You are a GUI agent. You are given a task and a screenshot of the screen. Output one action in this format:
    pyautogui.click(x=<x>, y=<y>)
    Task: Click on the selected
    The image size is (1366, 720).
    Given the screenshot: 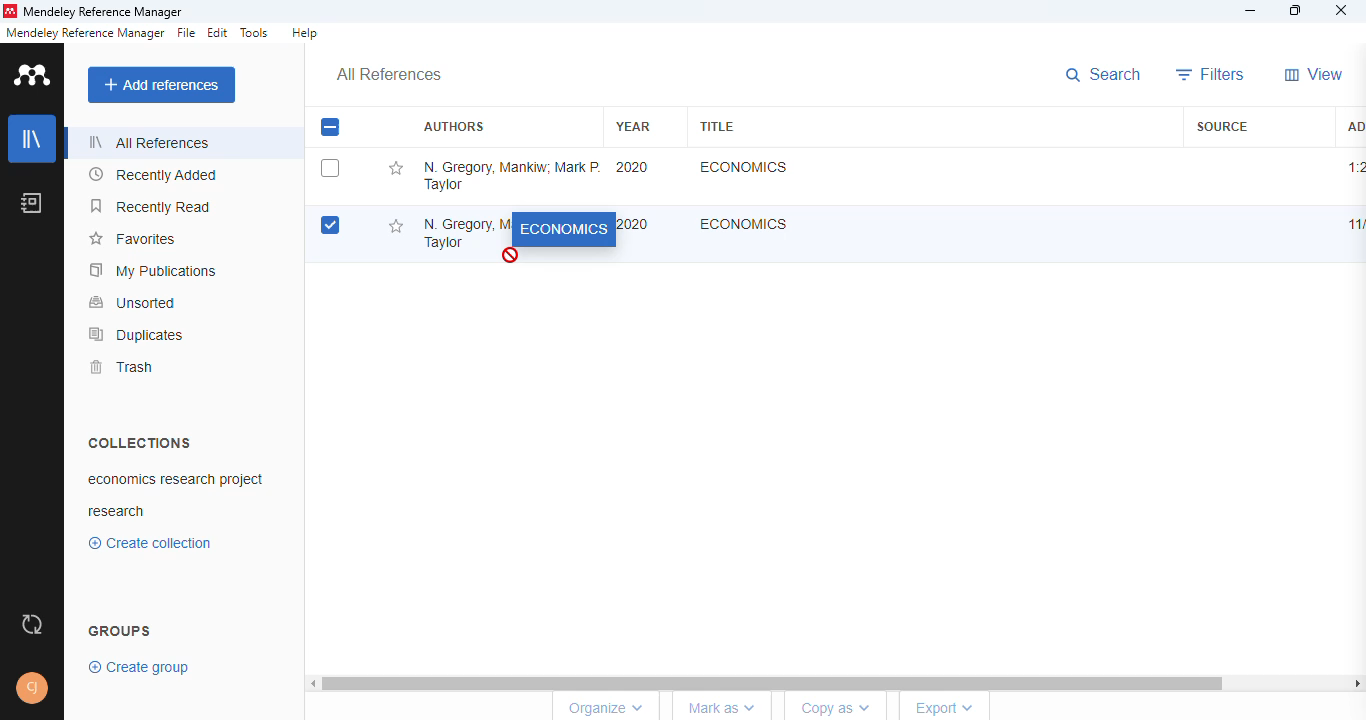 What is the action you would take?
    pyautogui.click(x=330, y=127)
    